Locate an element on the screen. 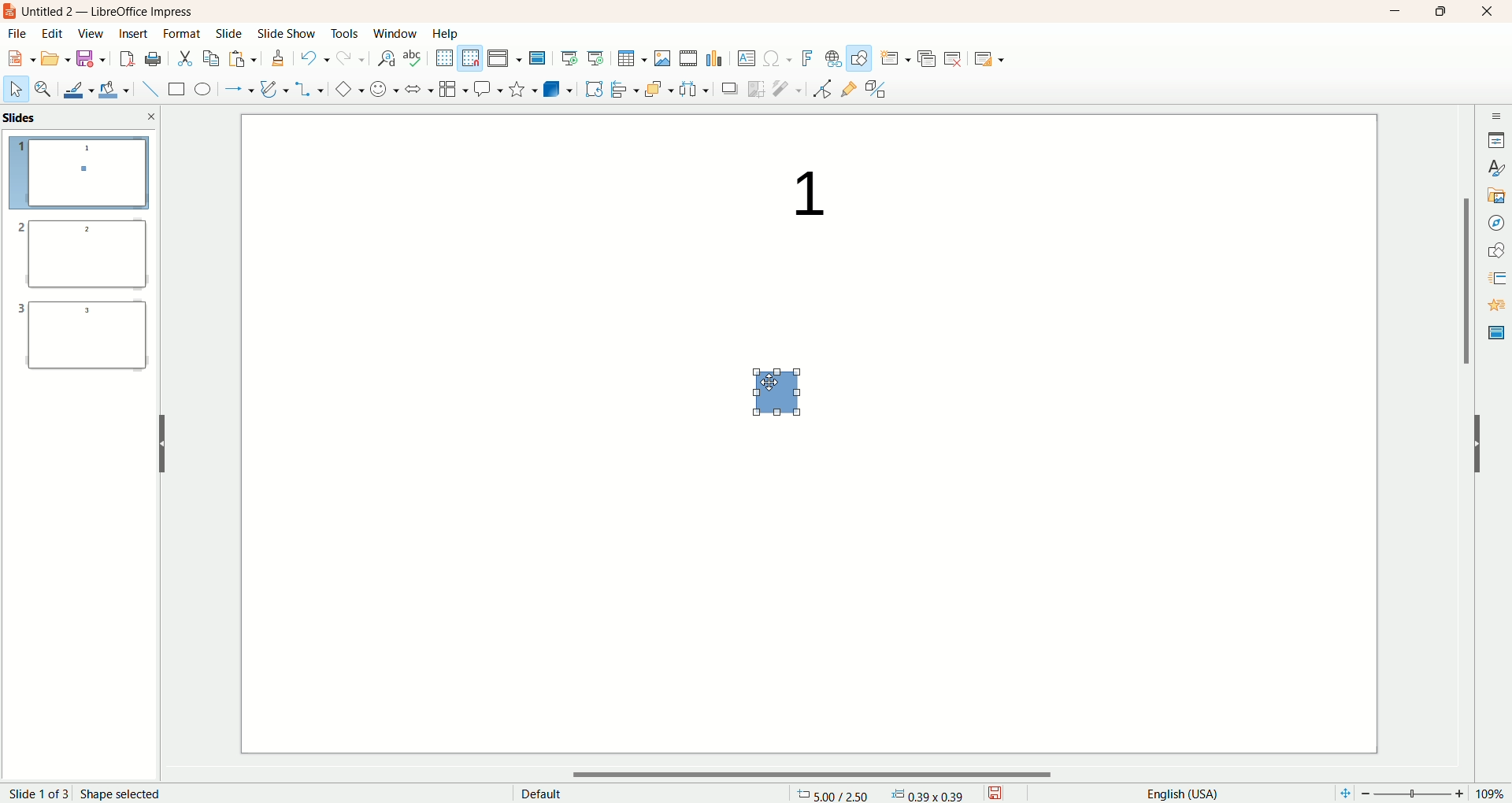  help is located at coordinates (446, 33).